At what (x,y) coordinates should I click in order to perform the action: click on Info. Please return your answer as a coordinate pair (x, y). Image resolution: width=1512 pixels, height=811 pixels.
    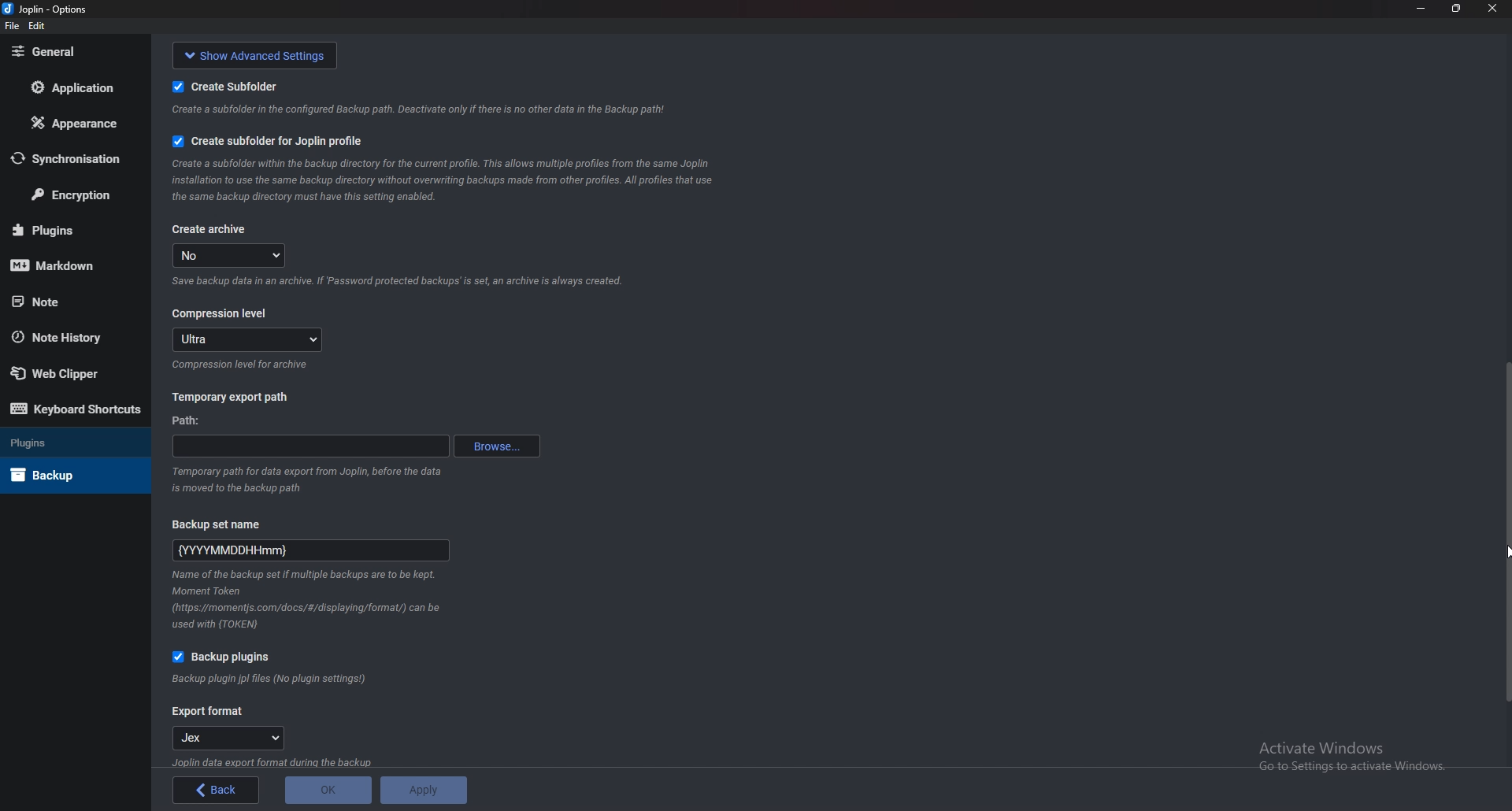
    Looking at the image, I should click on (447, 179).